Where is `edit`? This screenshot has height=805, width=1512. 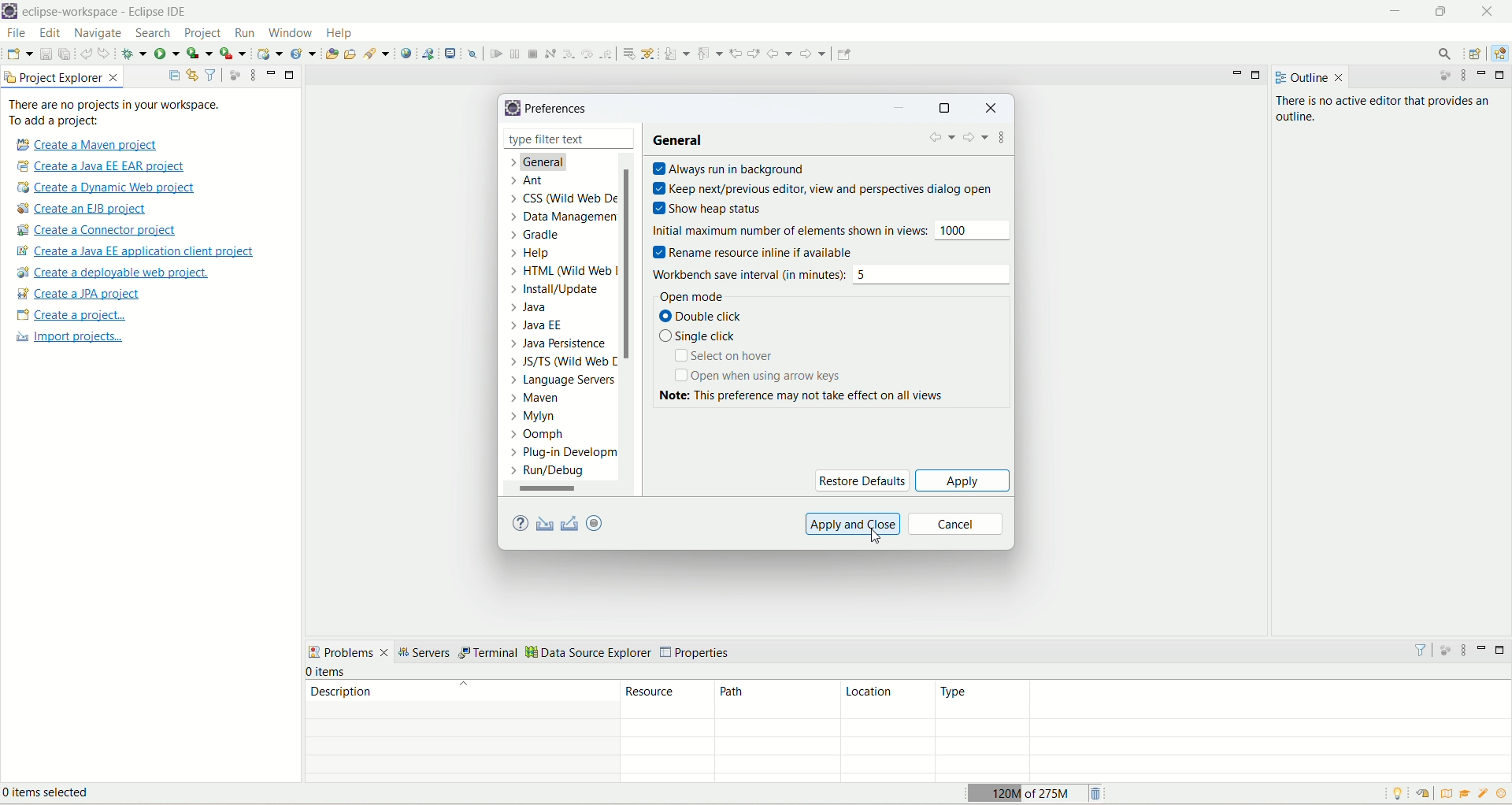 edit is located at coordinates (50, 34).